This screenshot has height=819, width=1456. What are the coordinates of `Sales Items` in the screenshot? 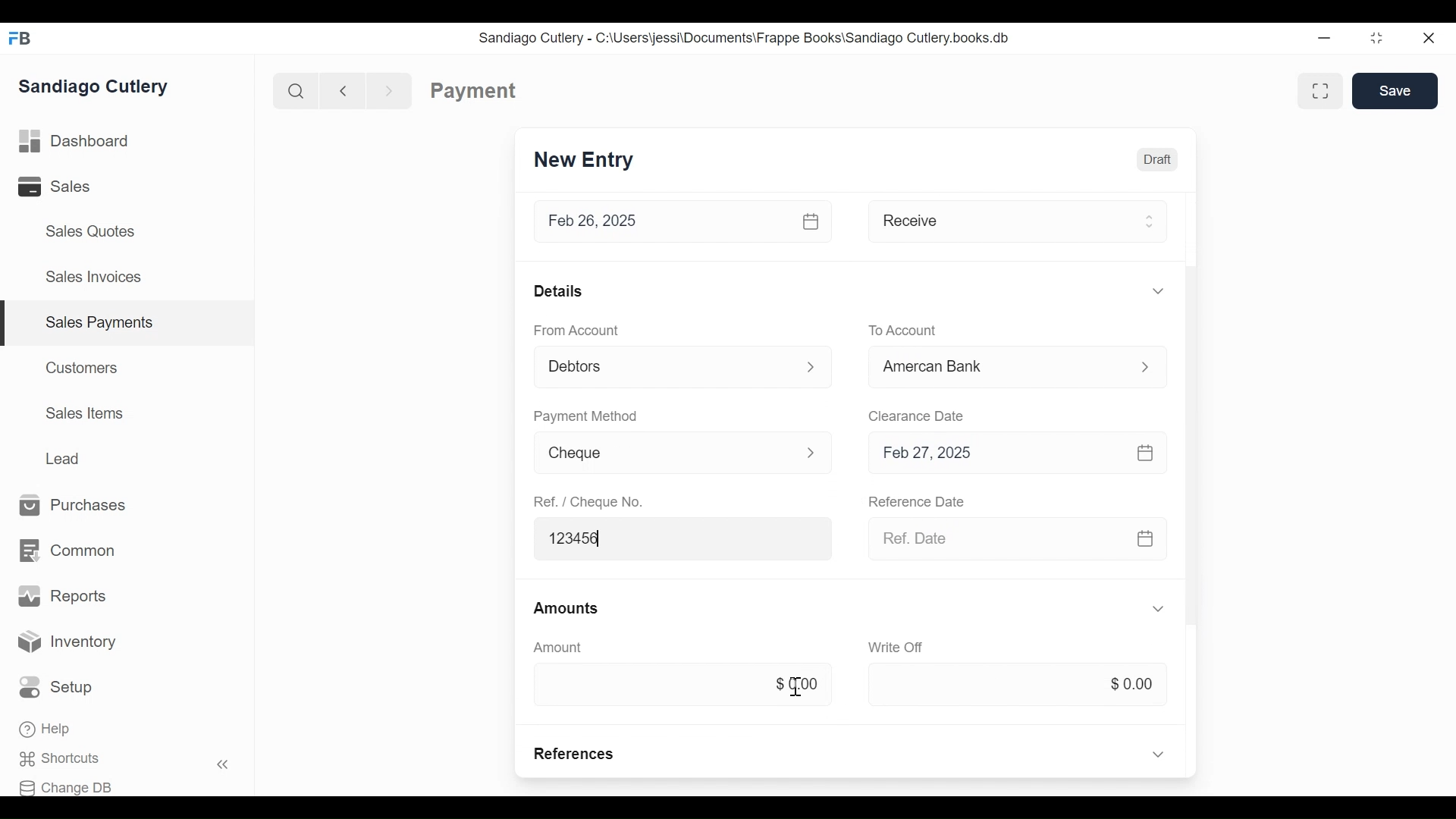 It's located at (85, 413).